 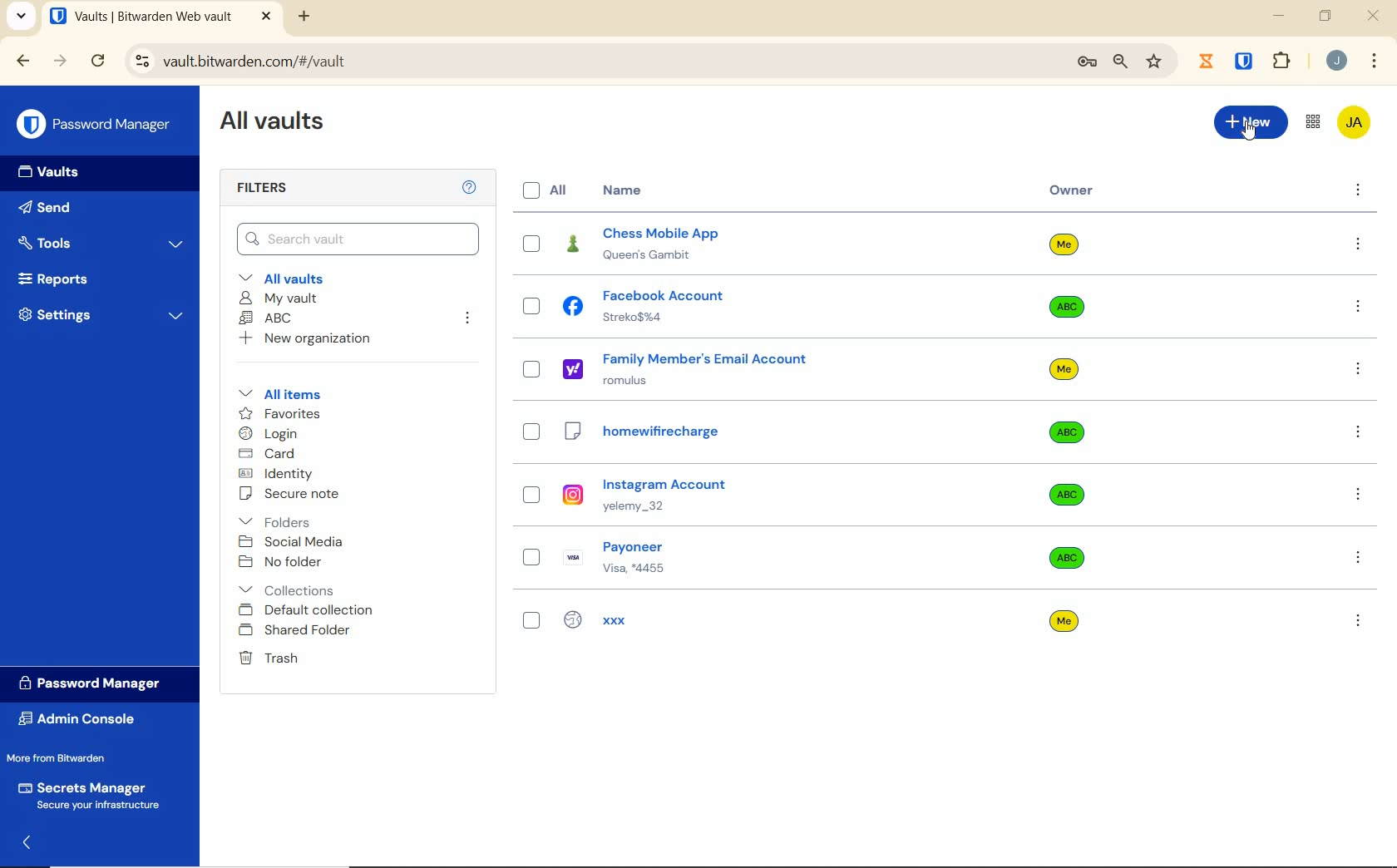 What do you see at coordinates (624, 190) in the screenshot?
I see `name` at bounding box center [624, 190].